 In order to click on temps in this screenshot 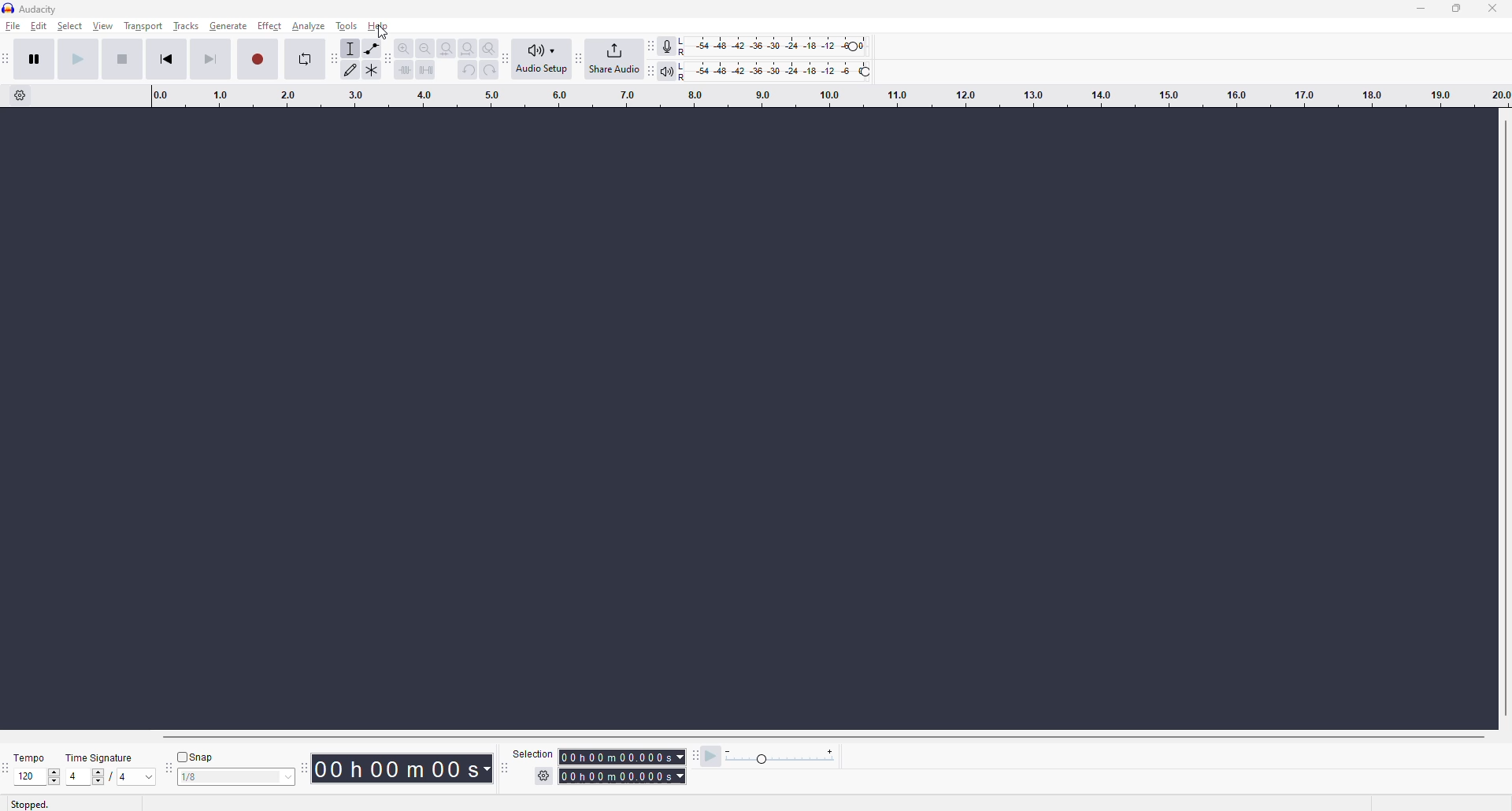, I will do `click(33, 757)`.